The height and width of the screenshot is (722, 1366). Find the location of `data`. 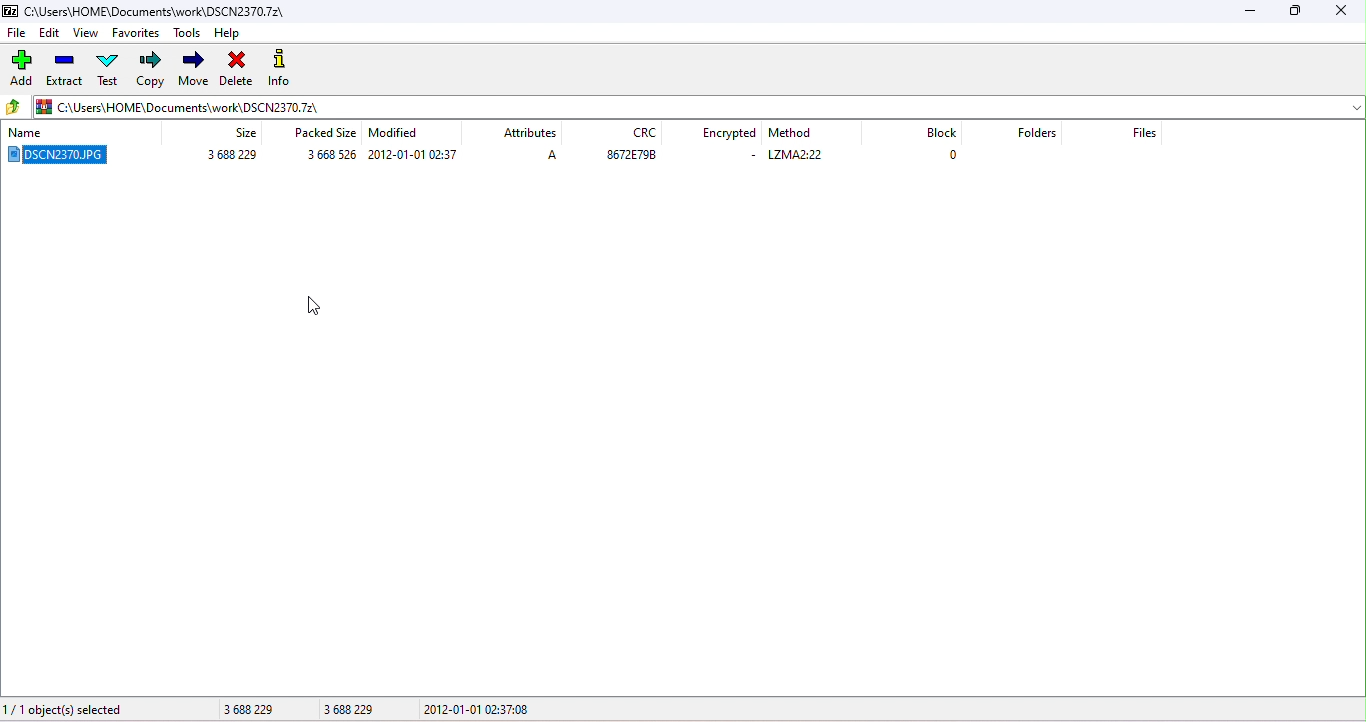

data is located at coordinates (634, 158).